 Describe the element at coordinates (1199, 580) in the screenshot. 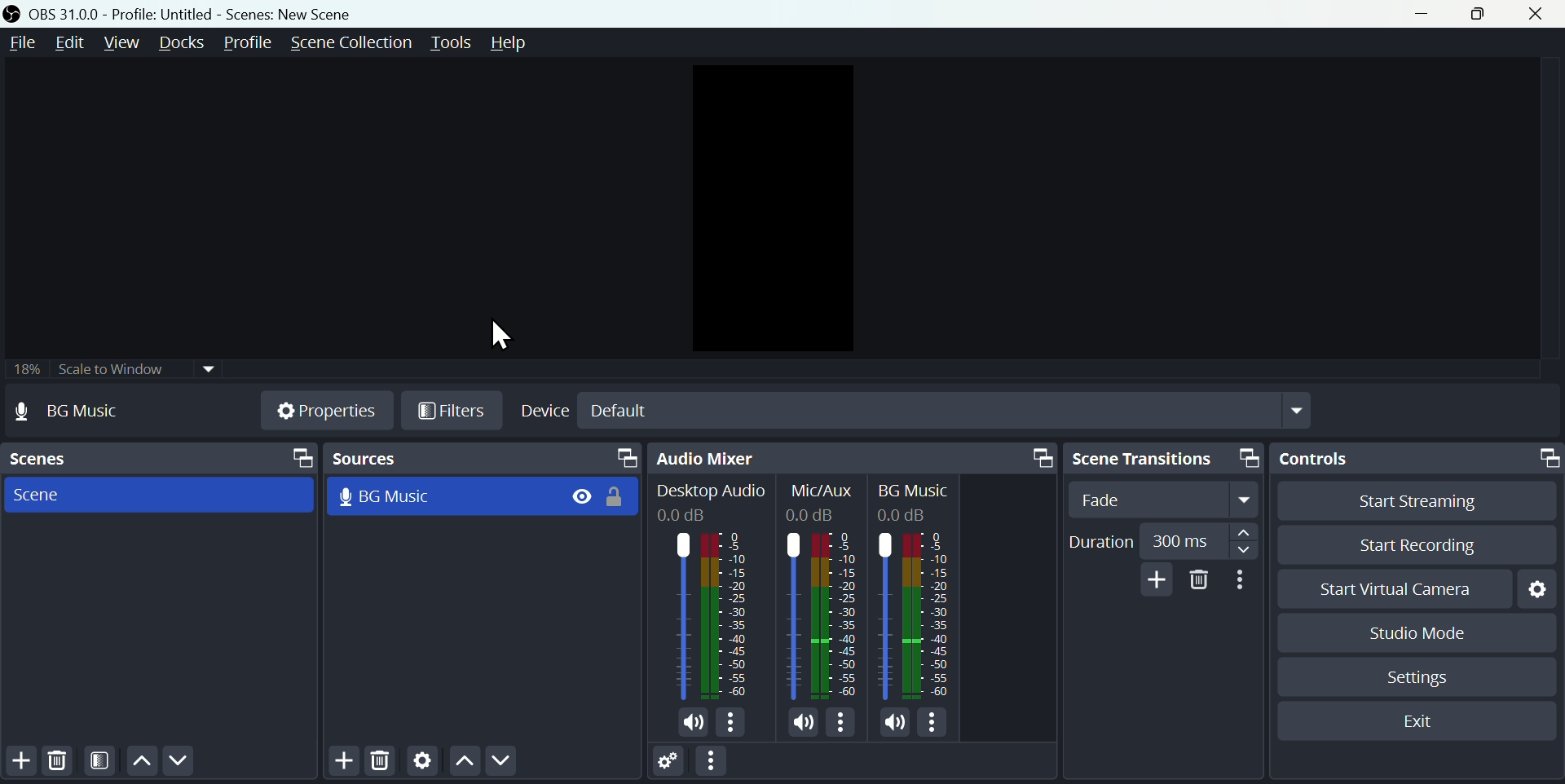

I see `Delete` at that location.